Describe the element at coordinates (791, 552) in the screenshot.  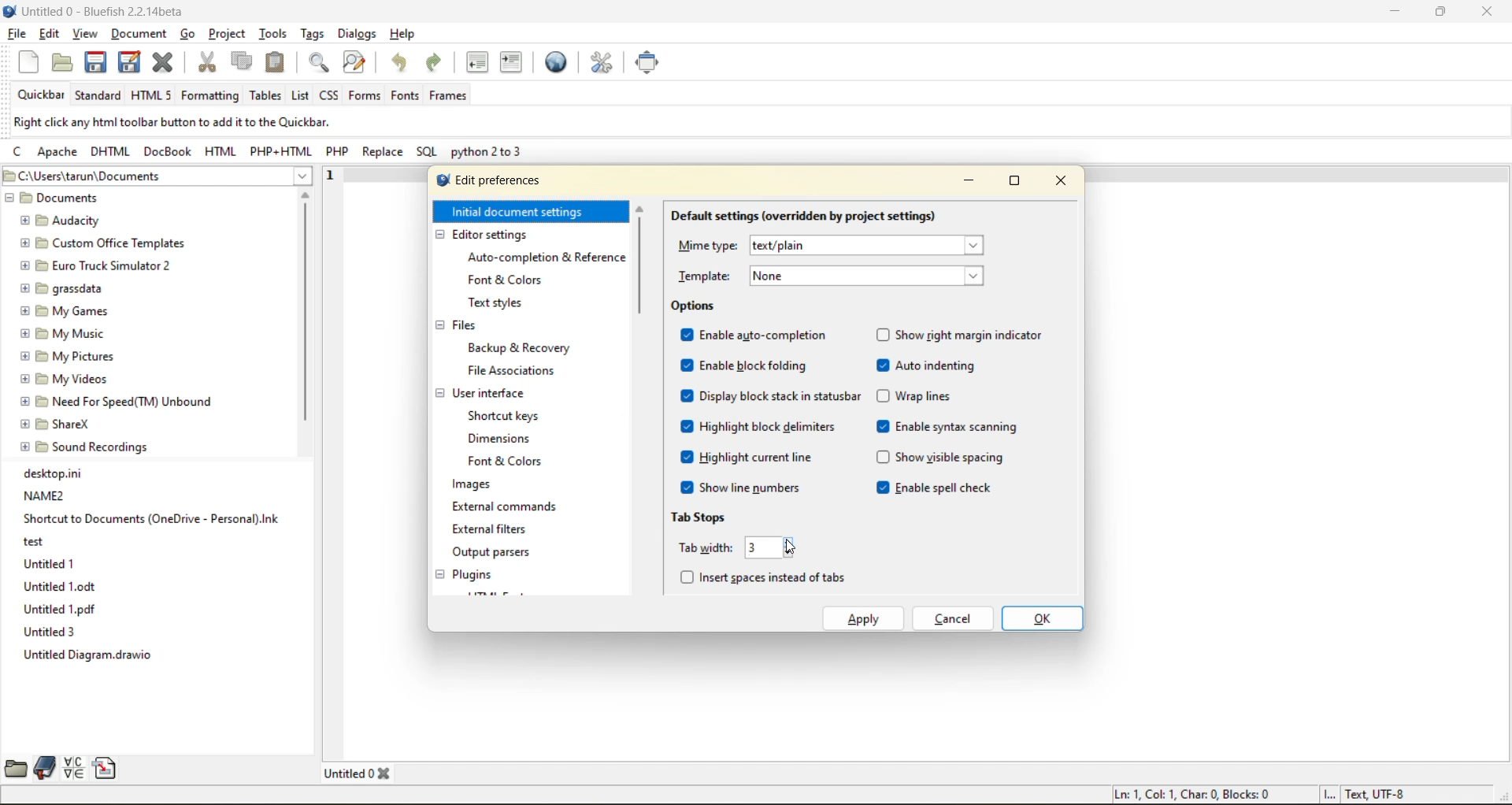
I see `decrease` at that location.